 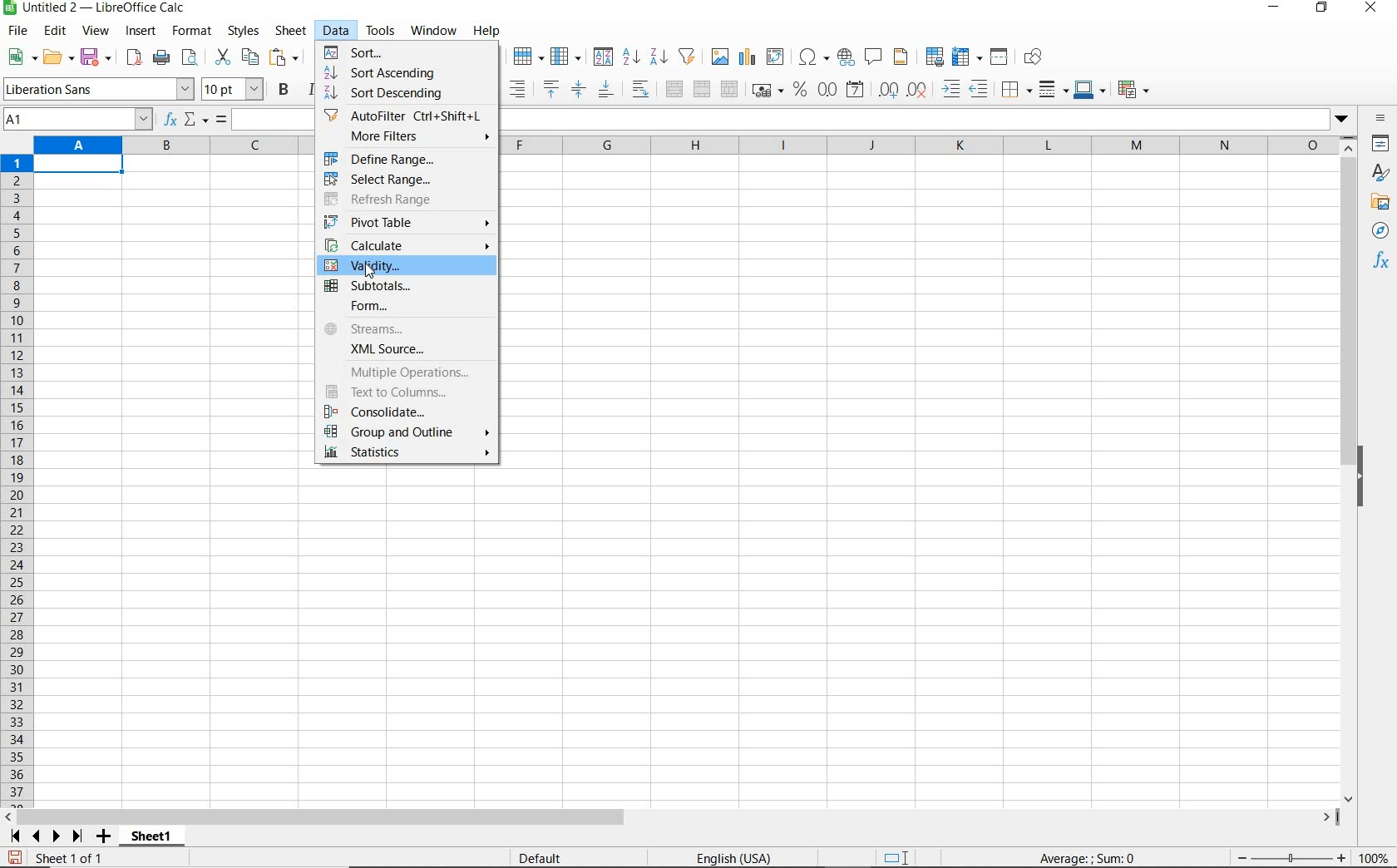 I want to click on insert or edit pivot table, so click(x=777, y=57).